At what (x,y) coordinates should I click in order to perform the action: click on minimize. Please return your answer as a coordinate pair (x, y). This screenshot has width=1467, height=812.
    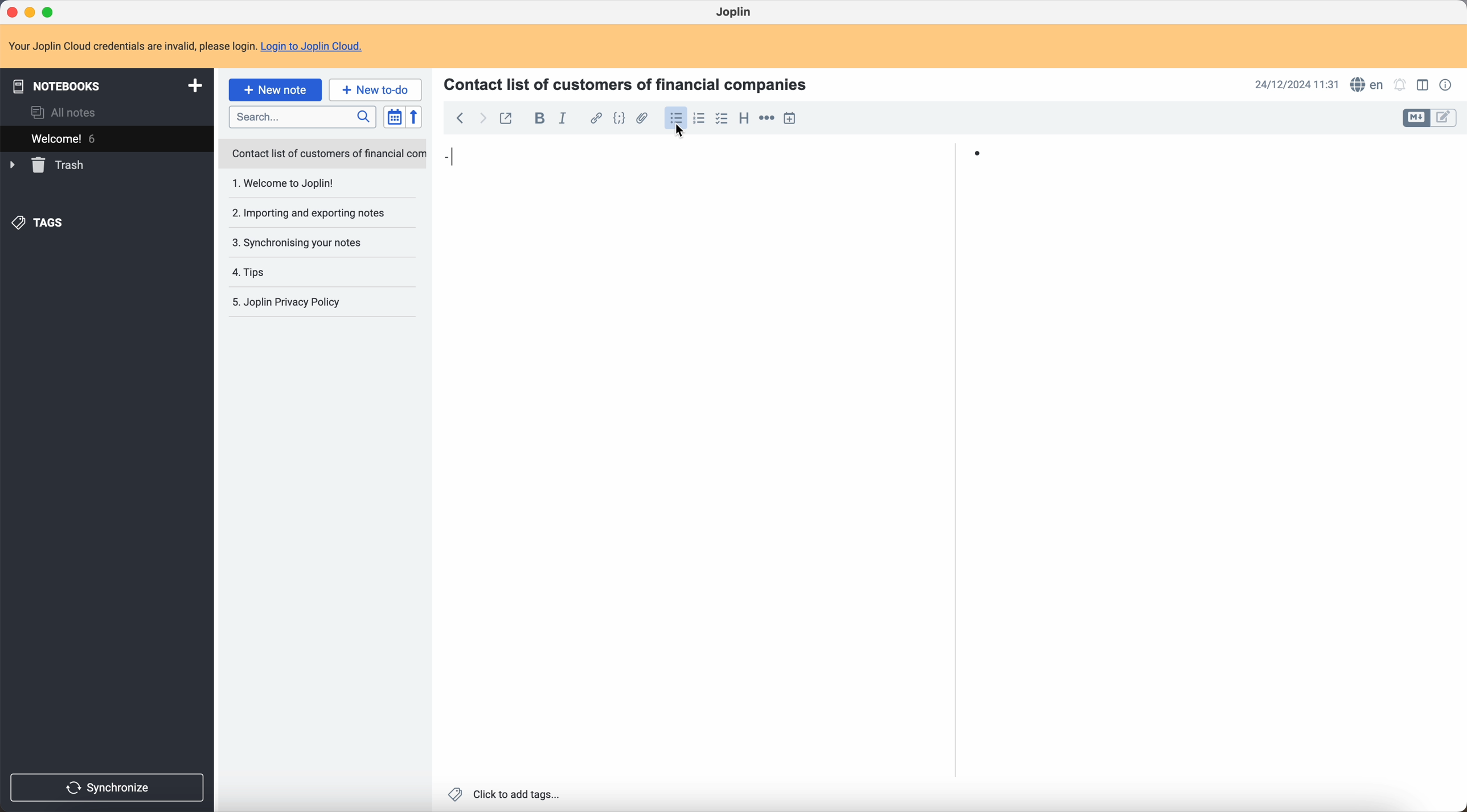
    Looking at the image, I should click on (30, 11).